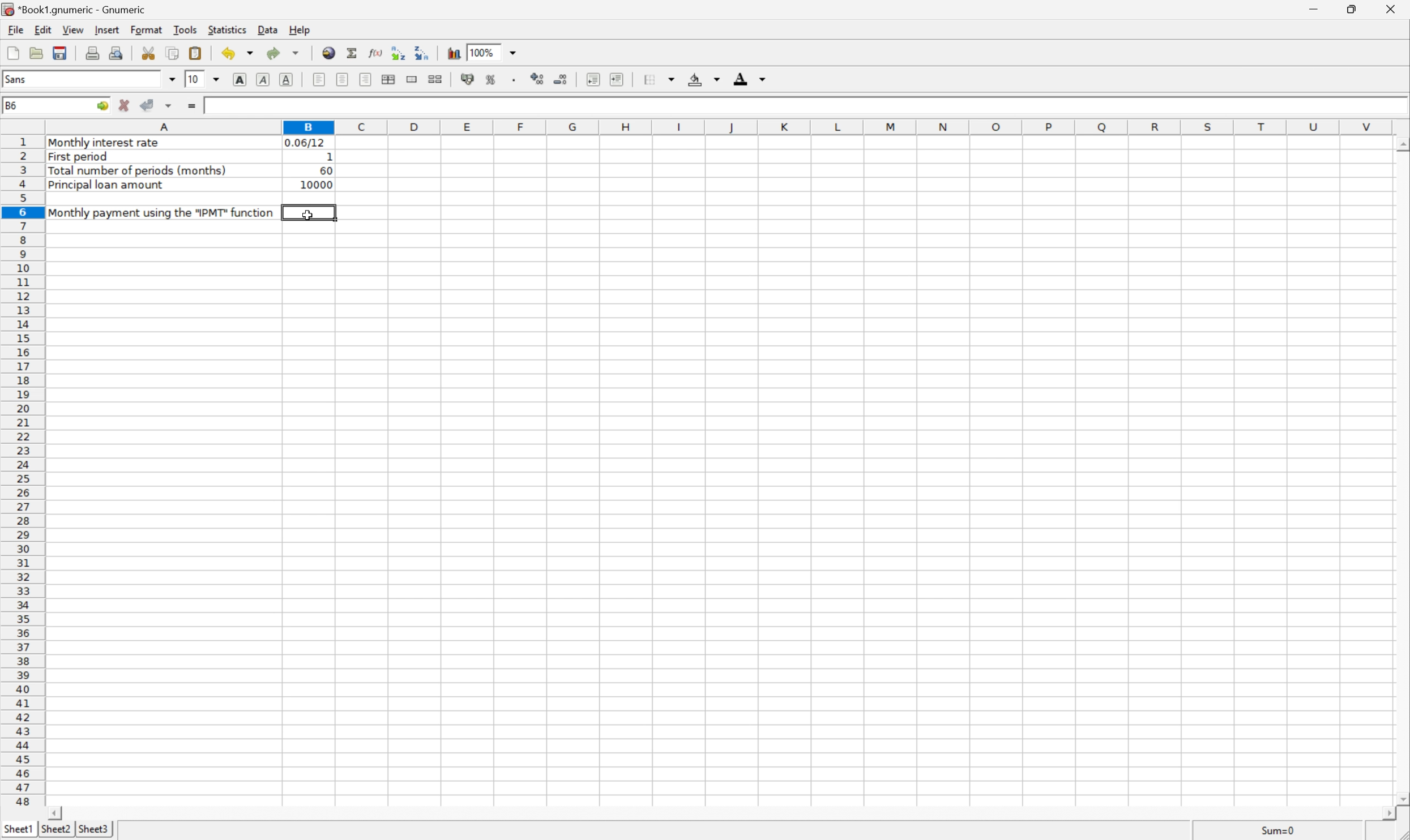 Image resolution: width=1410 pixels, height=840 pixels. What do you see at coordinates (107, 186) in the screenshot?
I see `Principal loan amount` at bounding box center [107, 186].